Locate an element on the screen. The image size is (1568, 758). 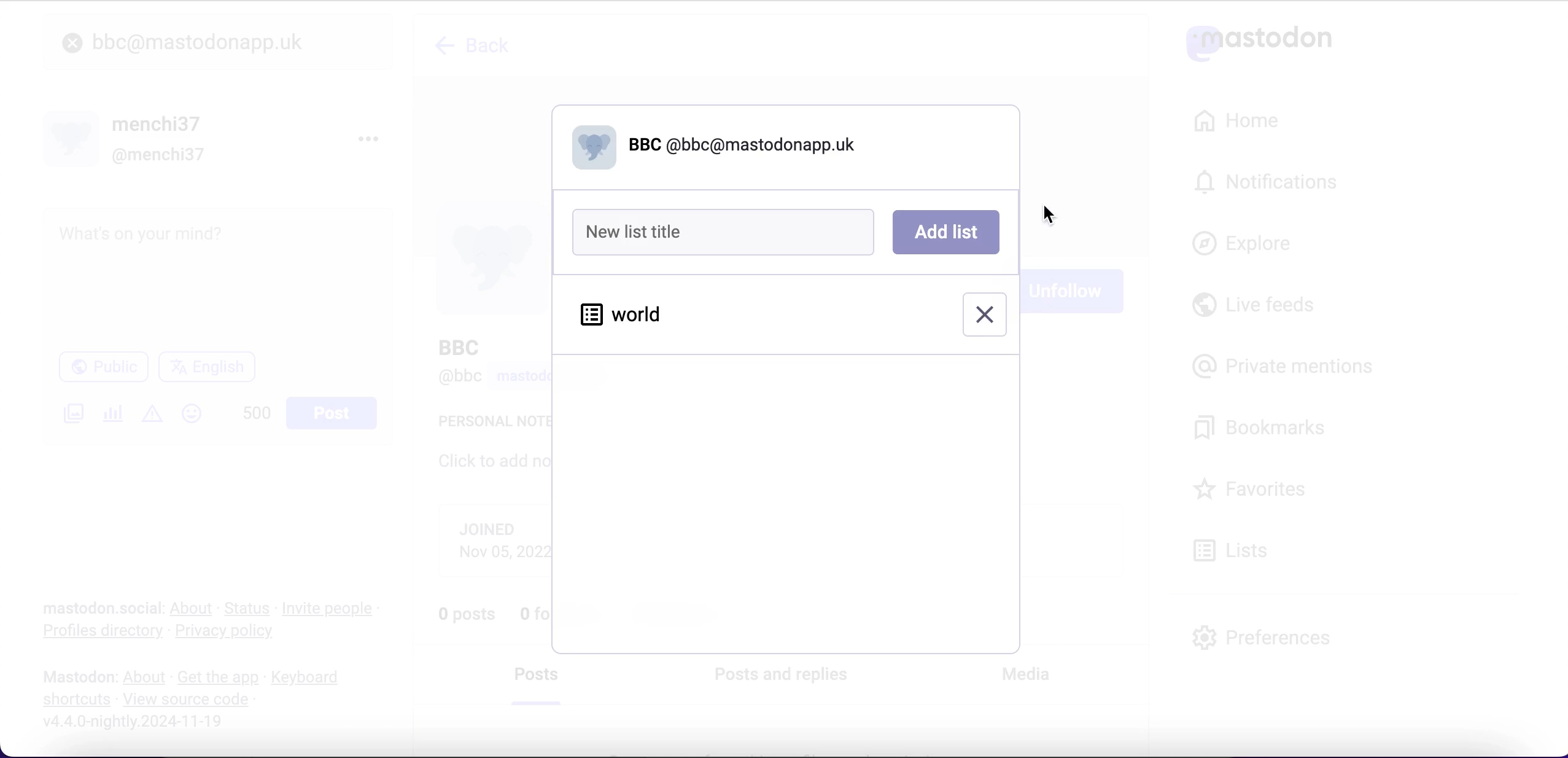
live feeds is located at coordinates (1254, 309).